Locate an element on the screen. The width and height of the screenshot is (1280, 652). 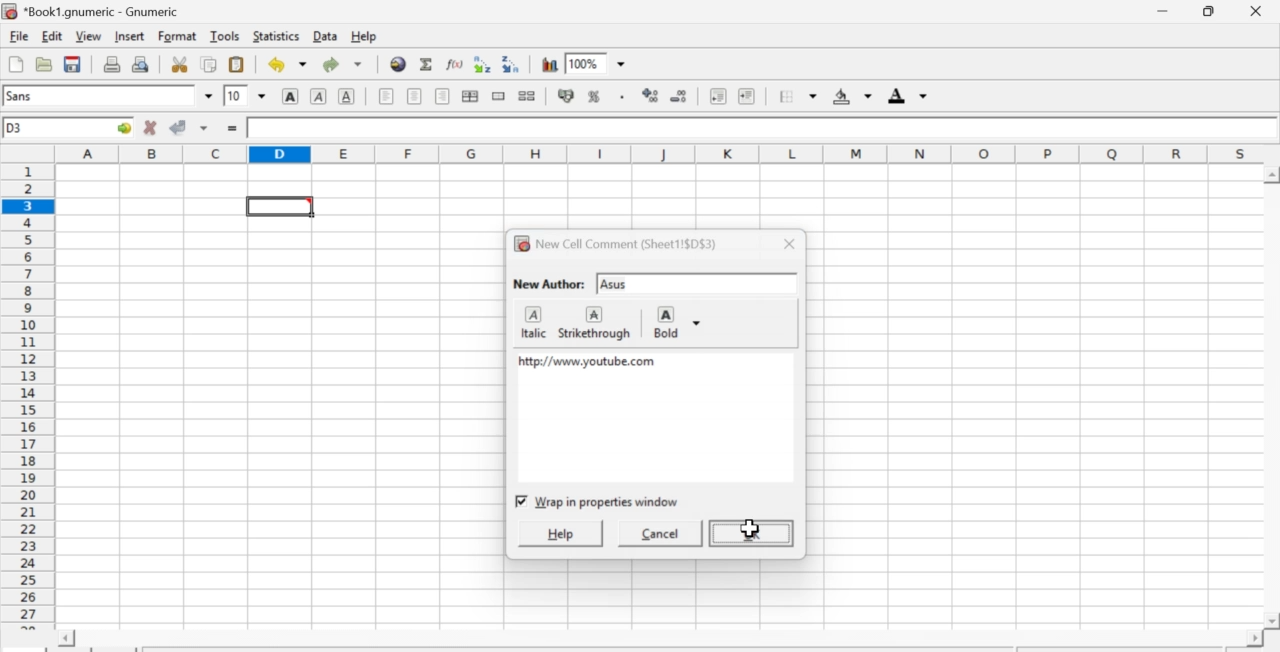
close is located at coordinates (789, 241).